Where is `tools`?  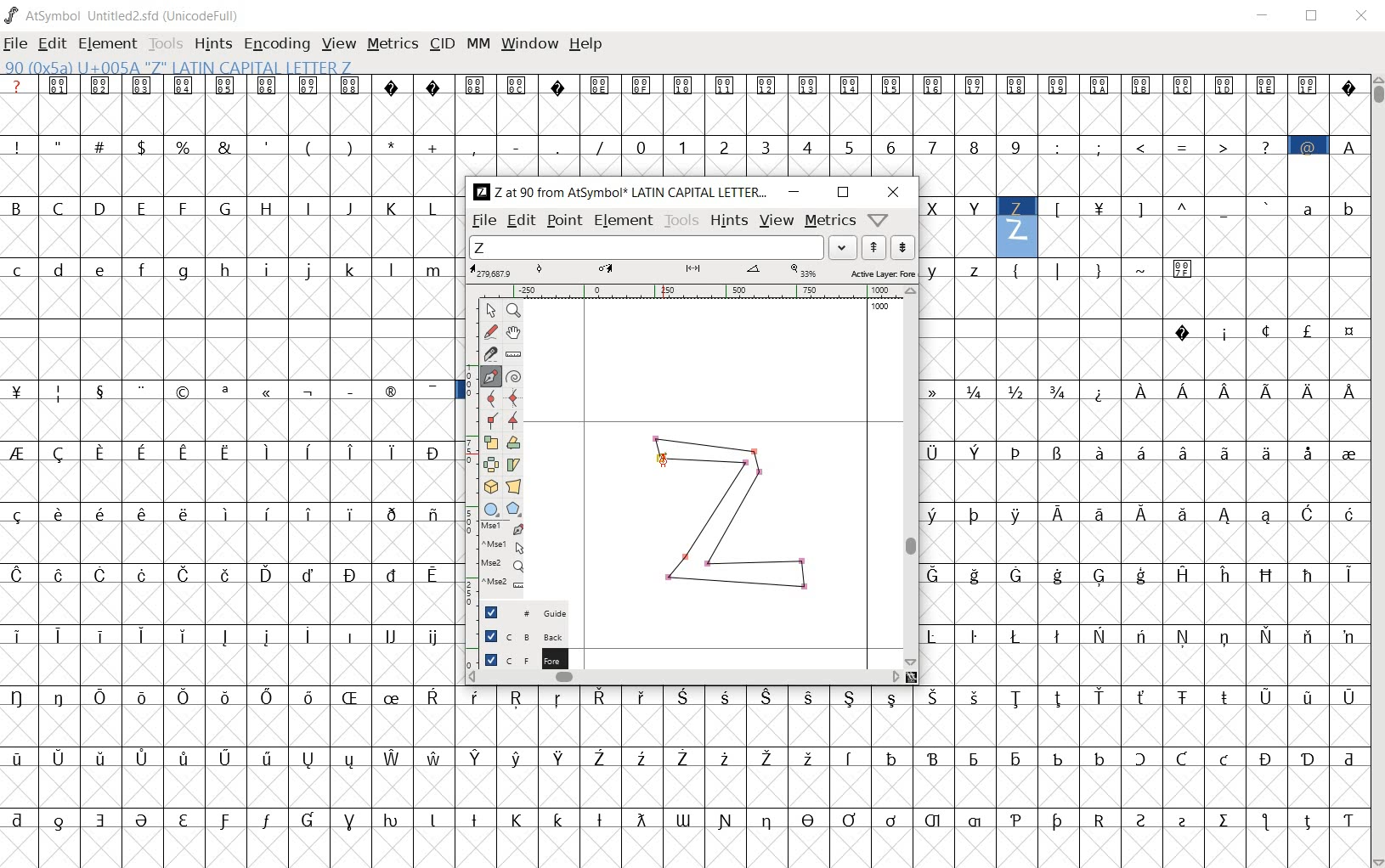 tools is located at coordinates (682, 221).